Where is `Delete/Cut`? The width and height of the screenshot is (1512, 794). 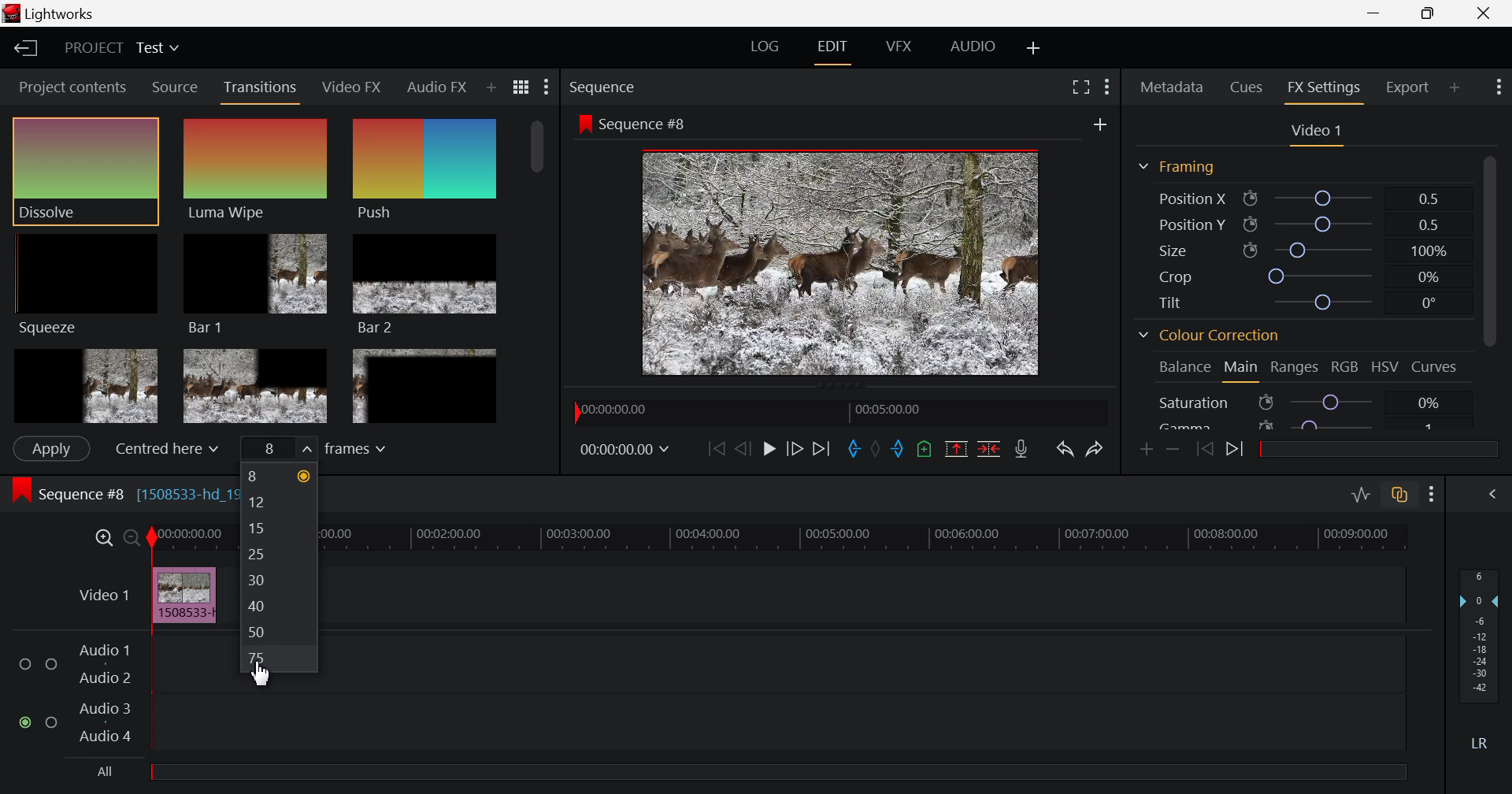 Delete/Cut is located at coordinates (991, 450).